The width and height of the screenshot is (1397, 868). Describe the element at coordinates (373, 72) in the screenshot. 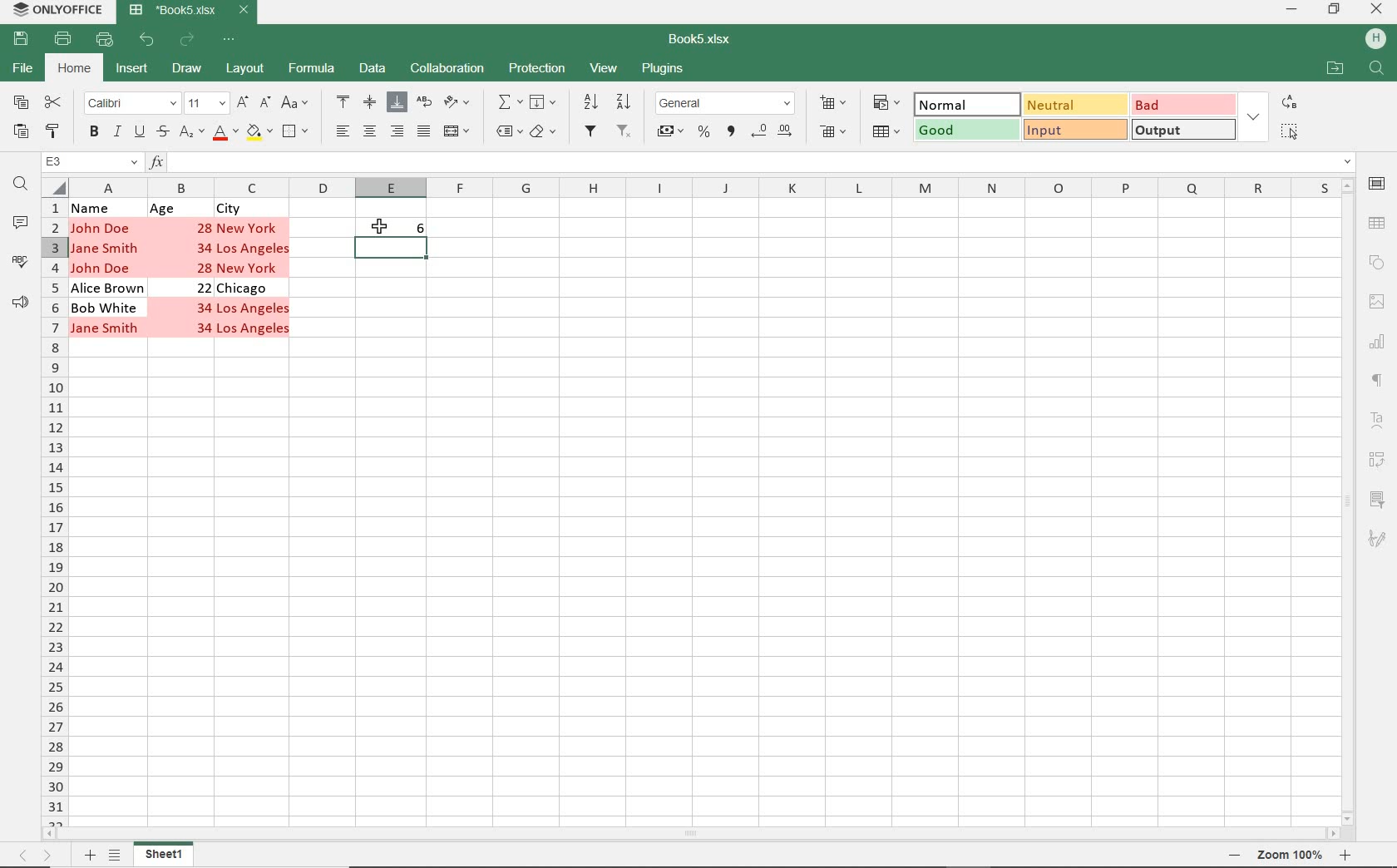

I see `DATA` at that location.